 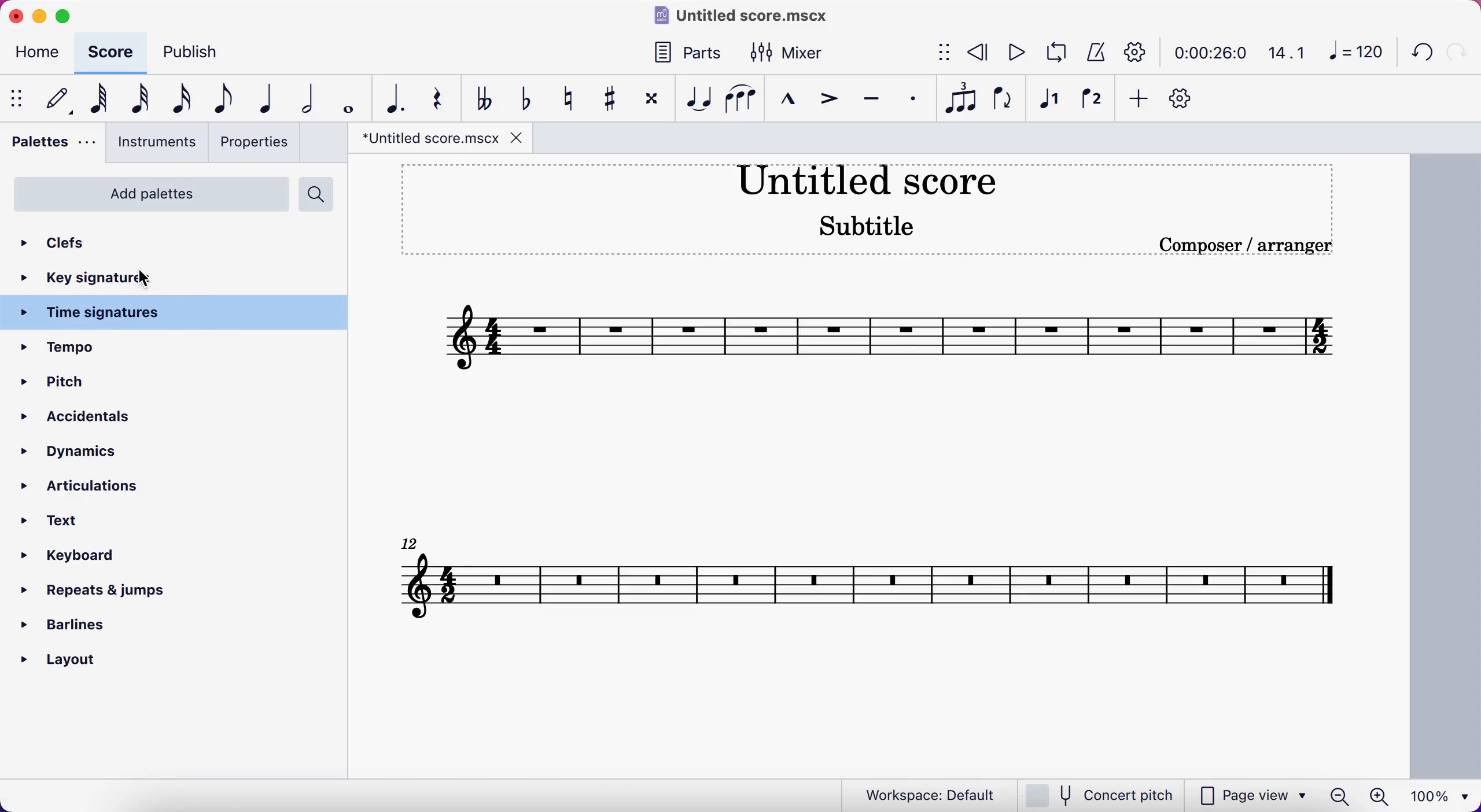 What do you see at coordinates (1140, 98) in the screenshot?
I see `add` at bounding box center [1140, 98].